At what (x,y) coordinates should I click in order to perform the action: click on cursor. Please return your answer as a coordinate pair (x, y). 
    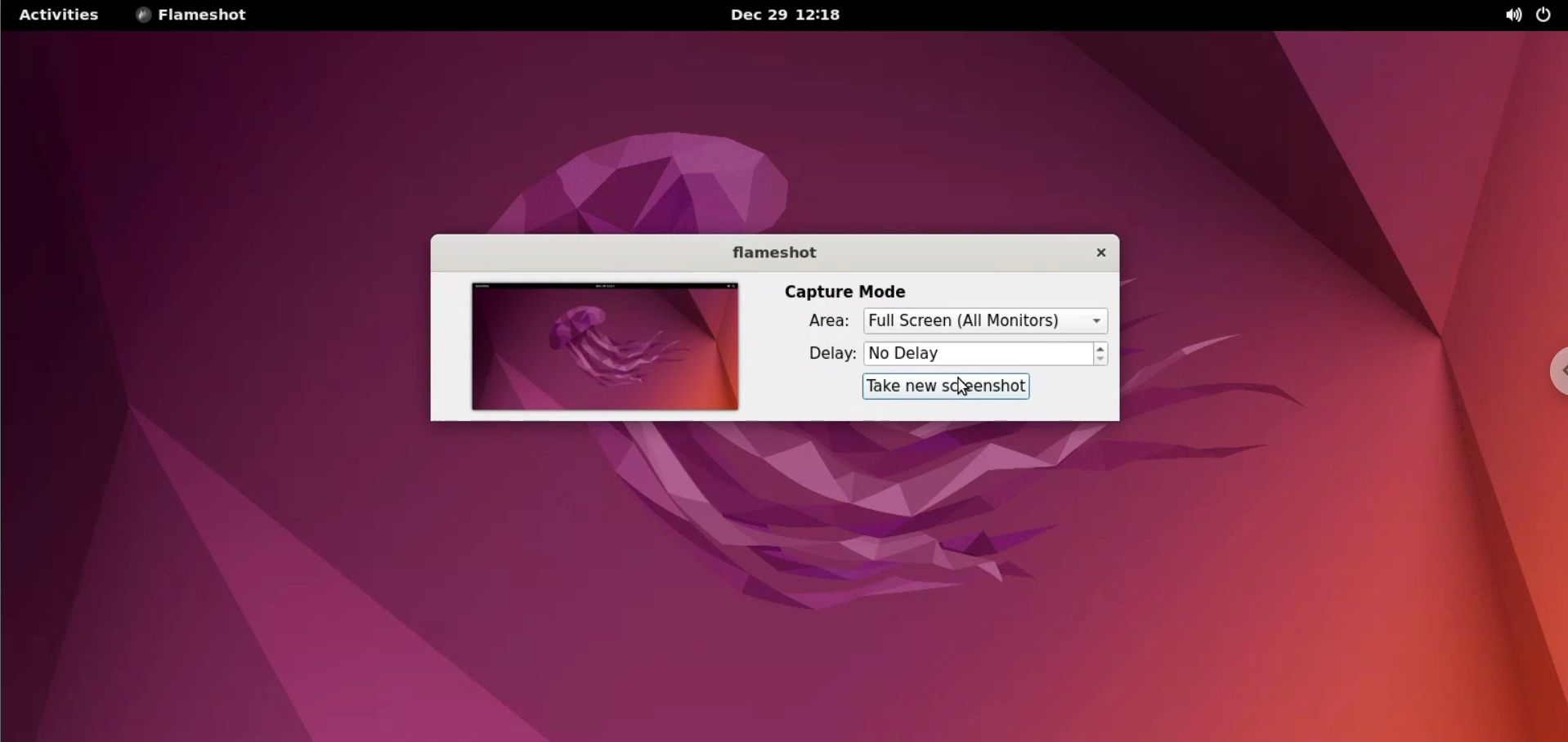
    Looking at the image, I should click on (965, 388).